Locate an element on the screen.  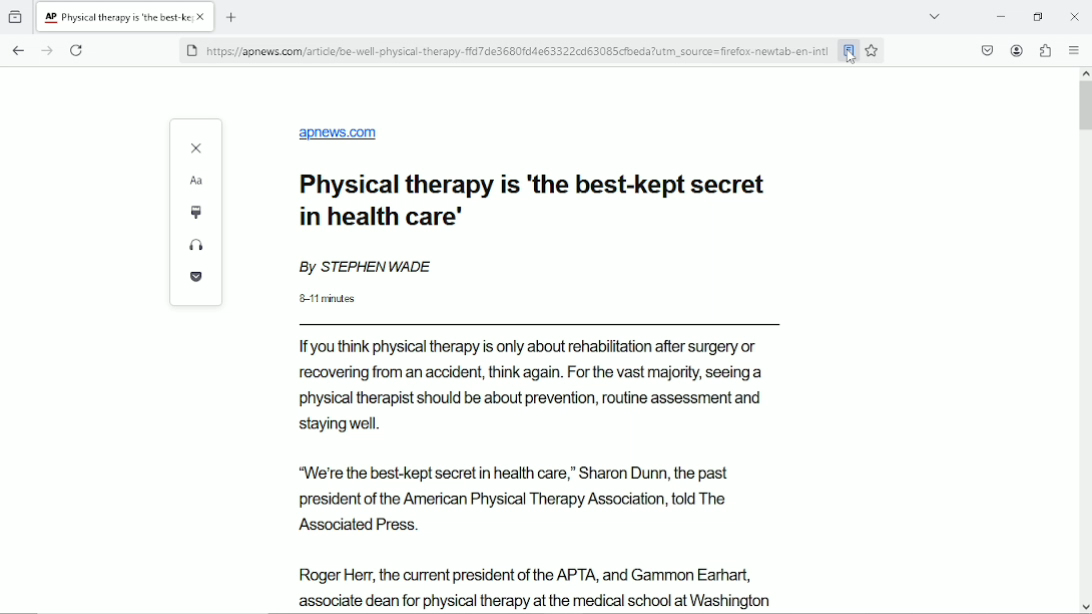
Physical therapy is 'the best-kept secretin health care’ By STEPHEN WADE—If you think physical therapy is only about rehabilitation after surgery or recovering from an accident, think again. For the vast majority, seeing a physical therapist should be about prevention, routine assessment and staying well.“We're the best-kept secret in health care,” Sharon Dunn, the past president of the American Physical Therapy Association, told The Associated Press. Roger Her, the current president of the APTA, and Gammon Earhart, associate dean for physical therapy at the medical school at Washington is located at coordinates (540, 392).